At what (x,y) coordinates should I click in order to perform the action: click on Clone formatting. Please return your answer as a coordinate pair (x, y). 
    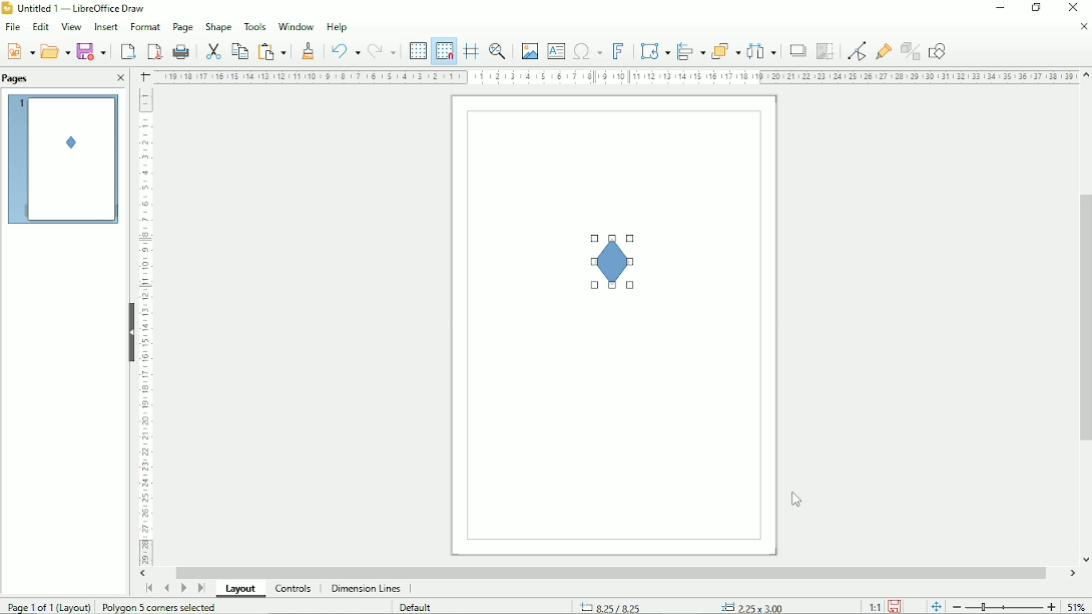
    Looking at the image, I should click on (309, 49).